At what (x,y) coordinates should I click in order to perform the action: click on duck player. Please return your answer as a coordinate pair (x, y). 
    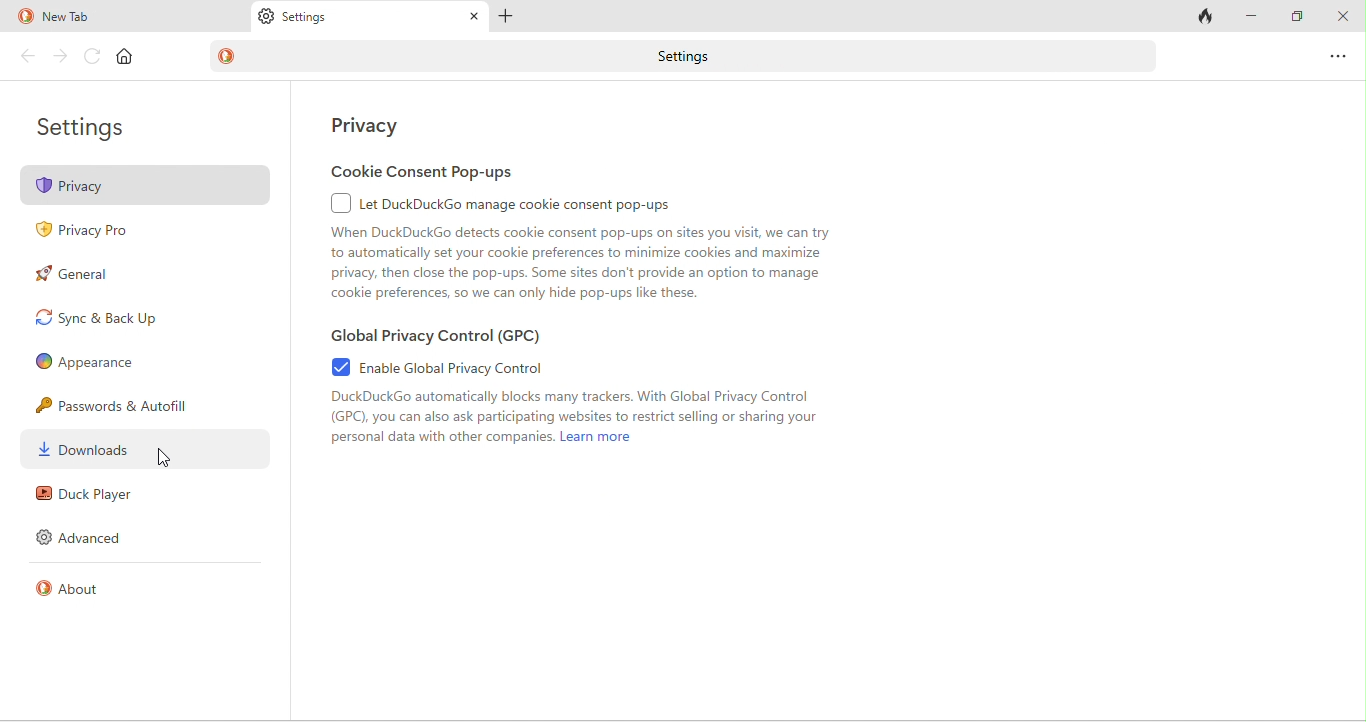
    Looking at the image, I should click on (85, 496).